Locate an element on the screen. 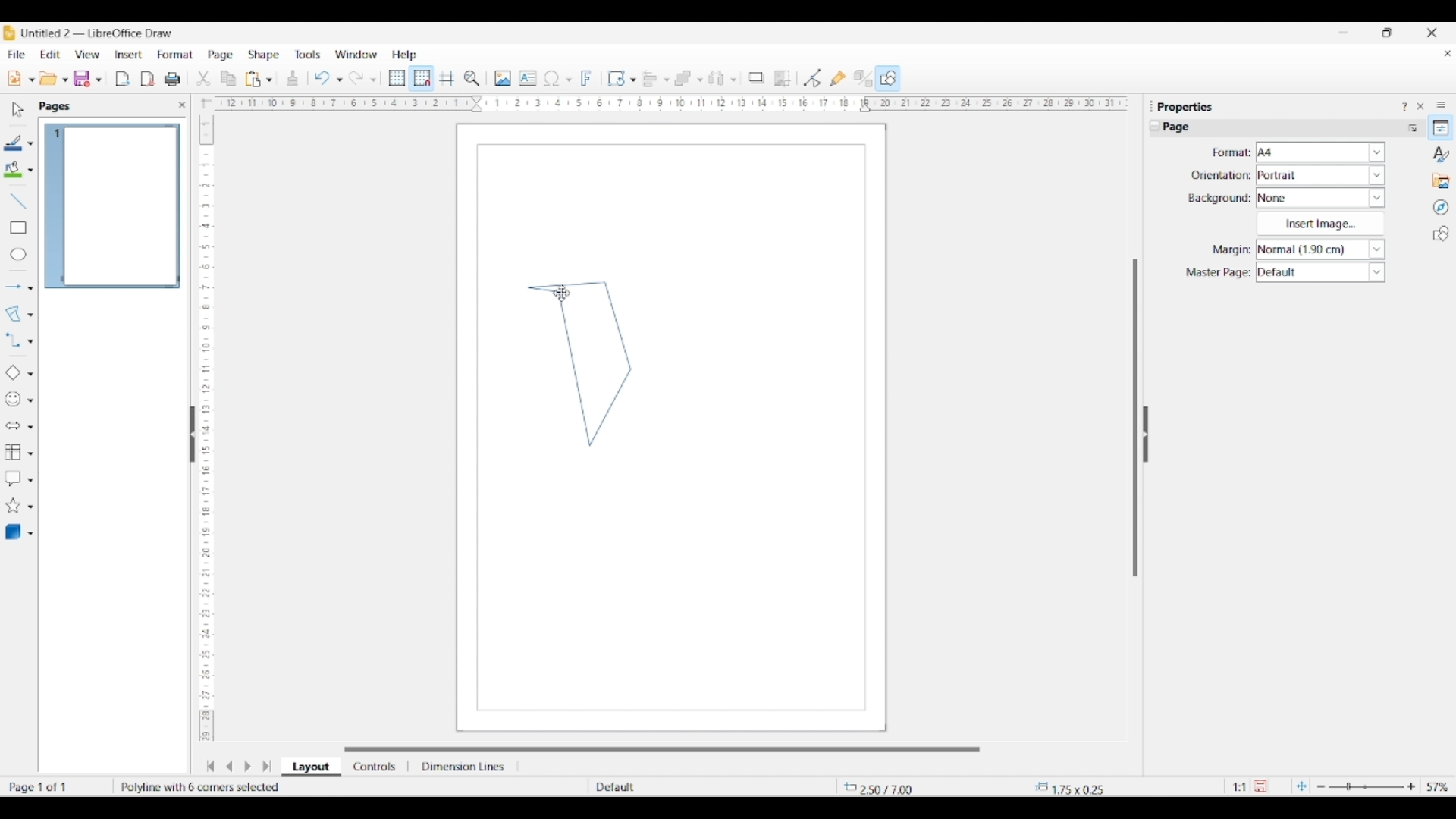 This screenshot has width=1456, height=819. Line and arrow options is located at coordinates (30, 288).